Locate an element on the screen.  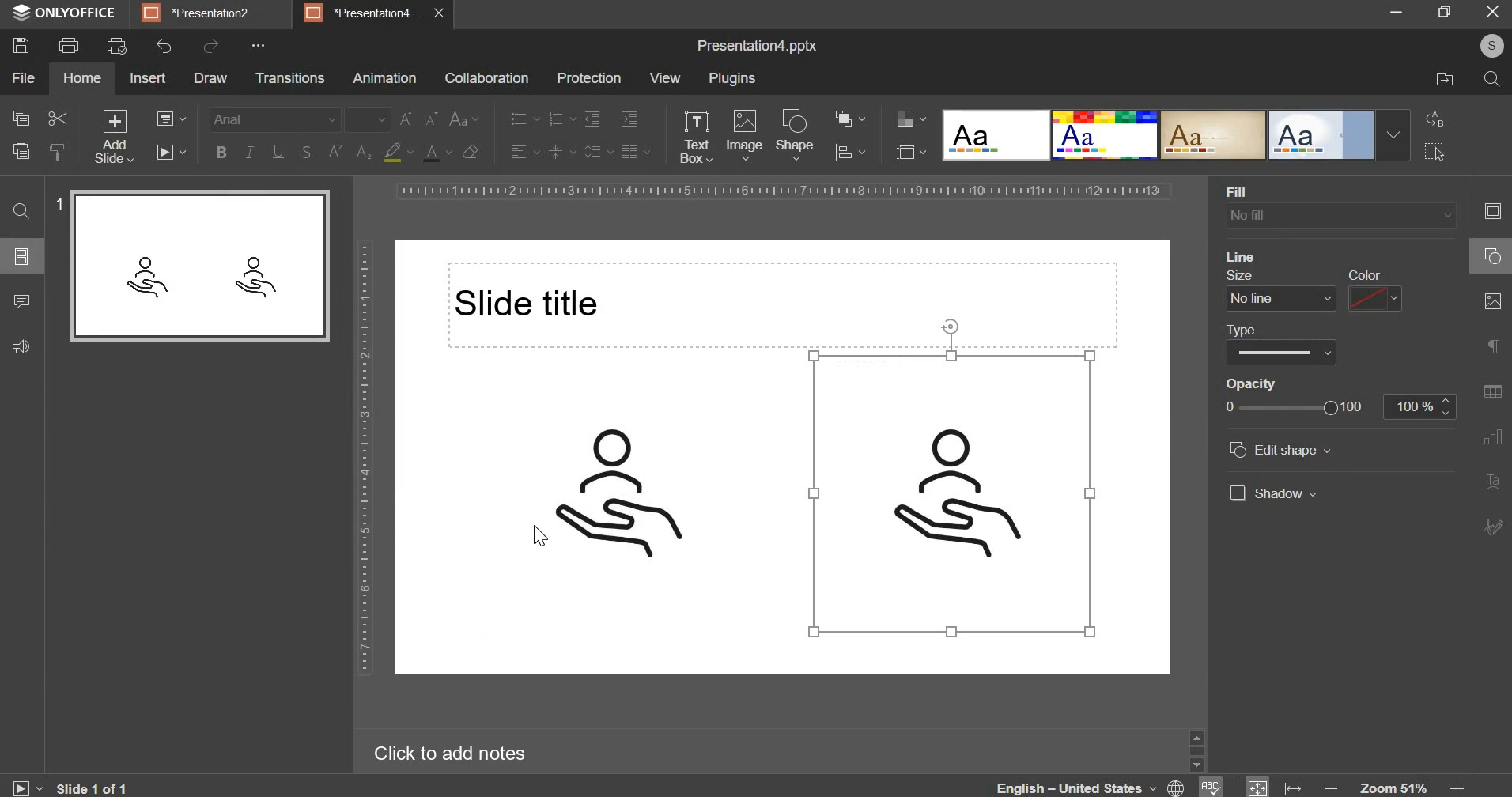
font is located at coordinates (275, 116).